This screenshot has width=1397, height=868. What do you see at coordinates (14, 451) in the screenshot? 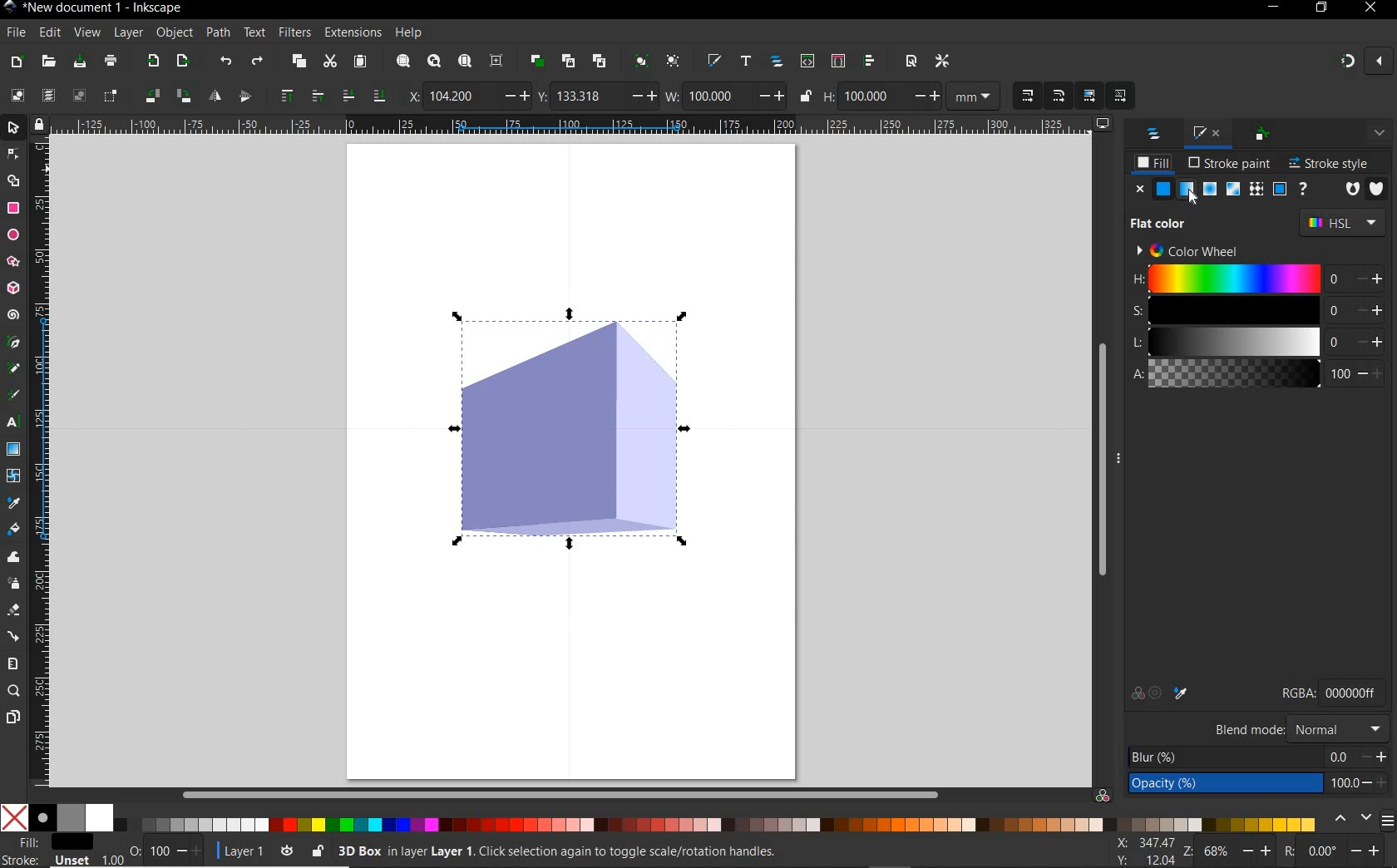
I see `GRADIENT TOOL` at bounding box center [14, 451].